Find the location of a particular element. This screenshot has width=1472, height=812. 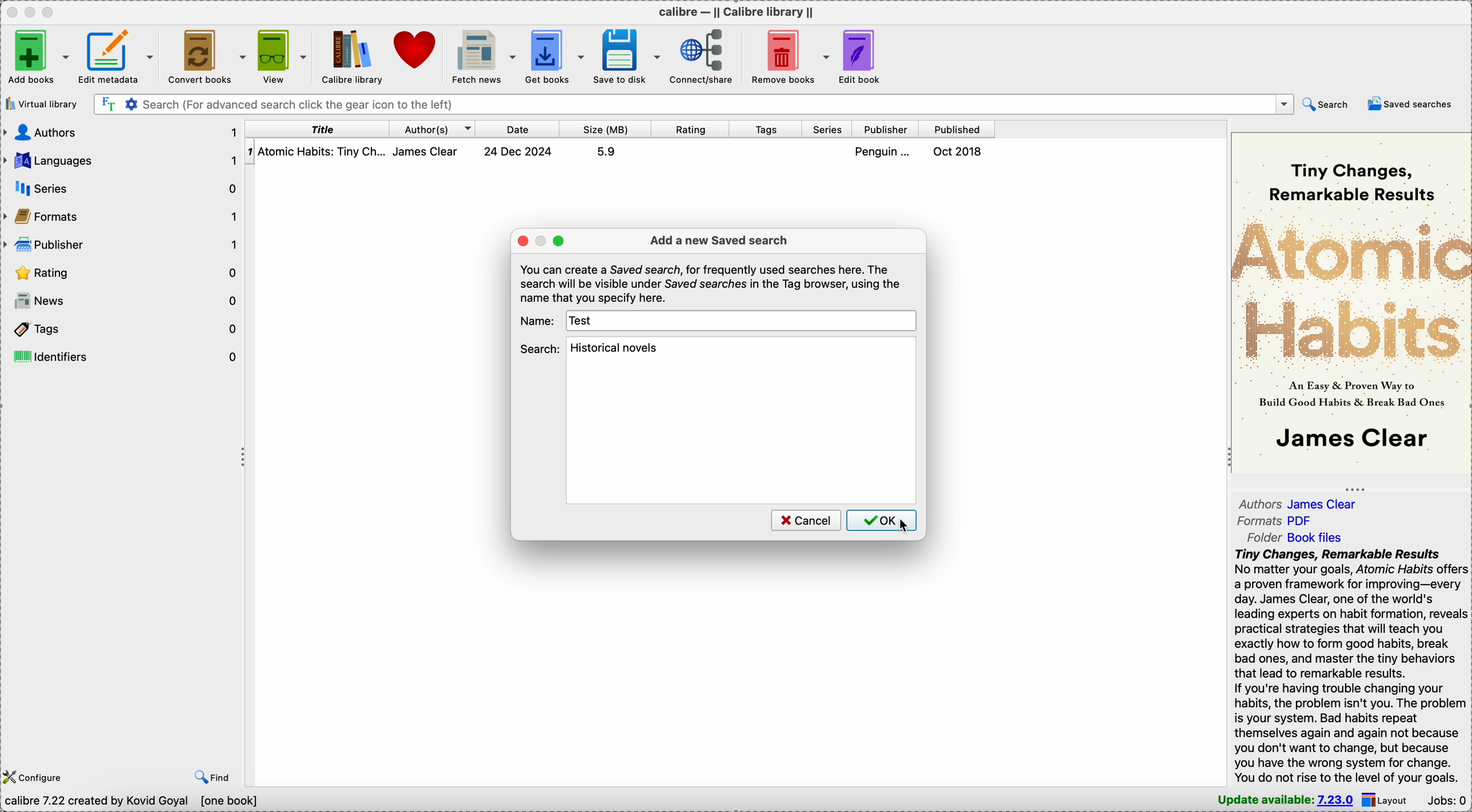

fetch news is located at coordinates (485, 55).